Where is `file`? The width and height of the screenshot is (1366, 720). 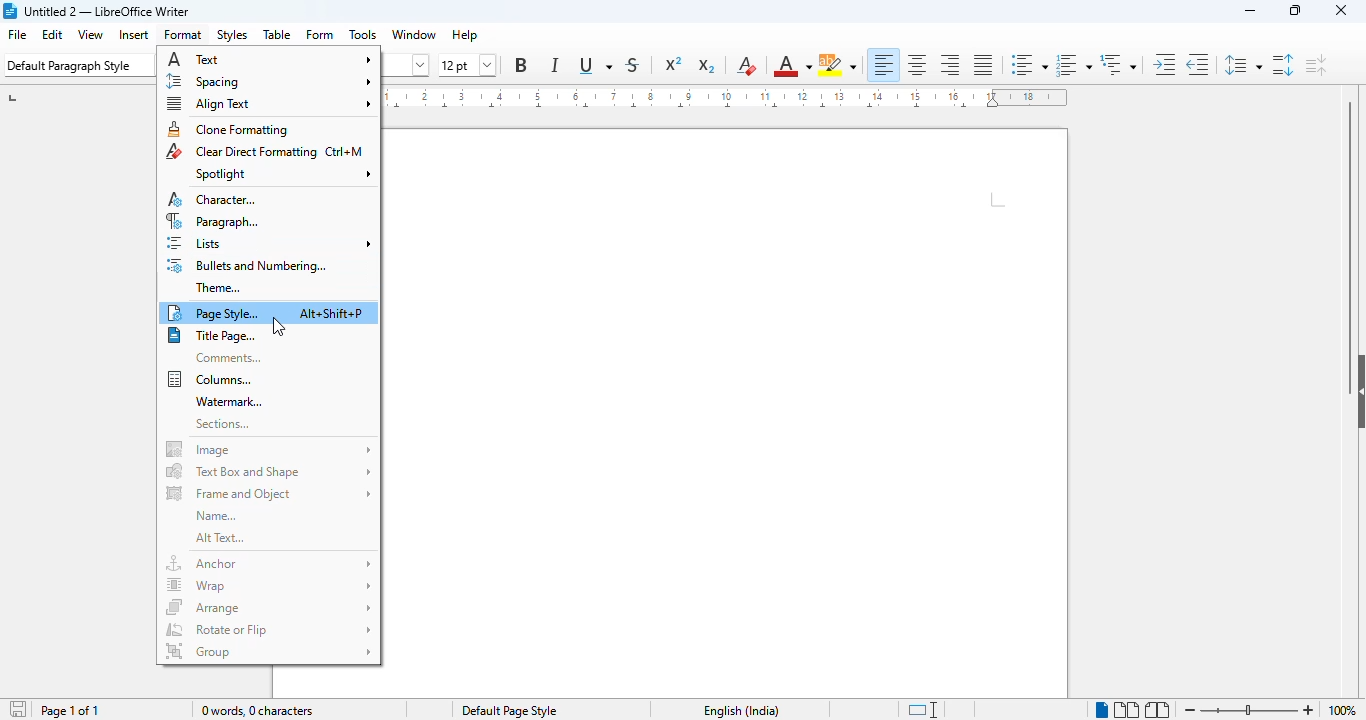
file is located at coordinates (17, 34).